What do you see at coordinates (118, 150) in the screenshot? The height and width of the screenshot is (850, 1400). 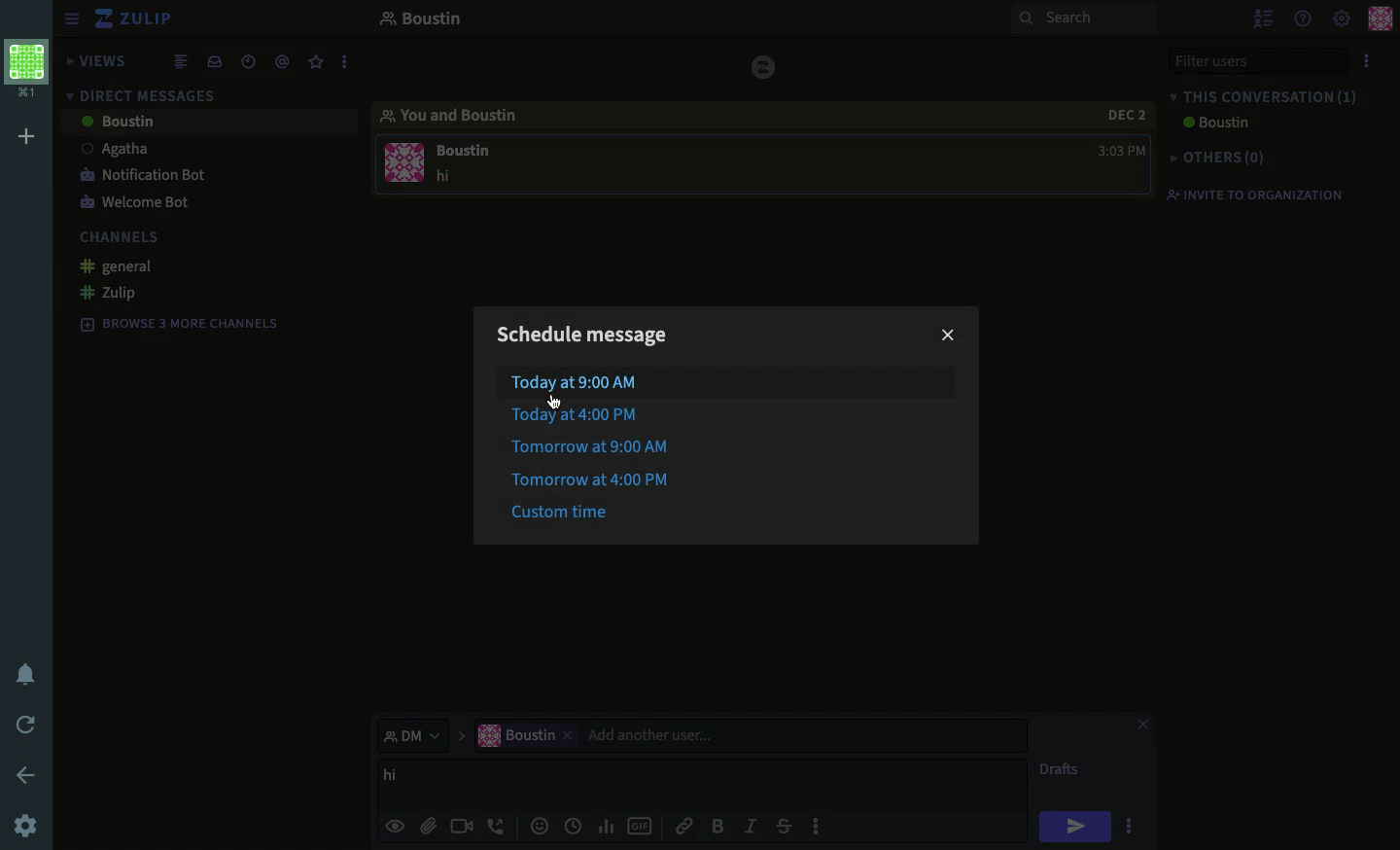 I see `Agatha` at bounding box center [118, 150].